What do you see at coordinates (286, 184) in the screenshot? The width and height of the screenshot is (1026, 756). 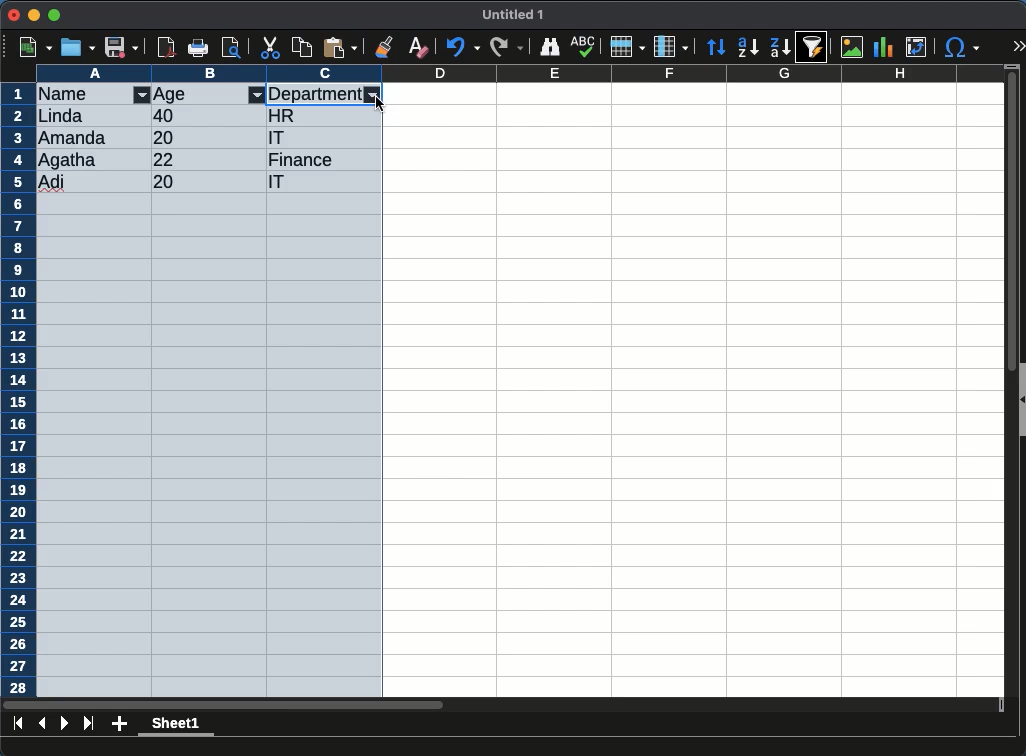 I see `it` at bounding box center [286, 184].